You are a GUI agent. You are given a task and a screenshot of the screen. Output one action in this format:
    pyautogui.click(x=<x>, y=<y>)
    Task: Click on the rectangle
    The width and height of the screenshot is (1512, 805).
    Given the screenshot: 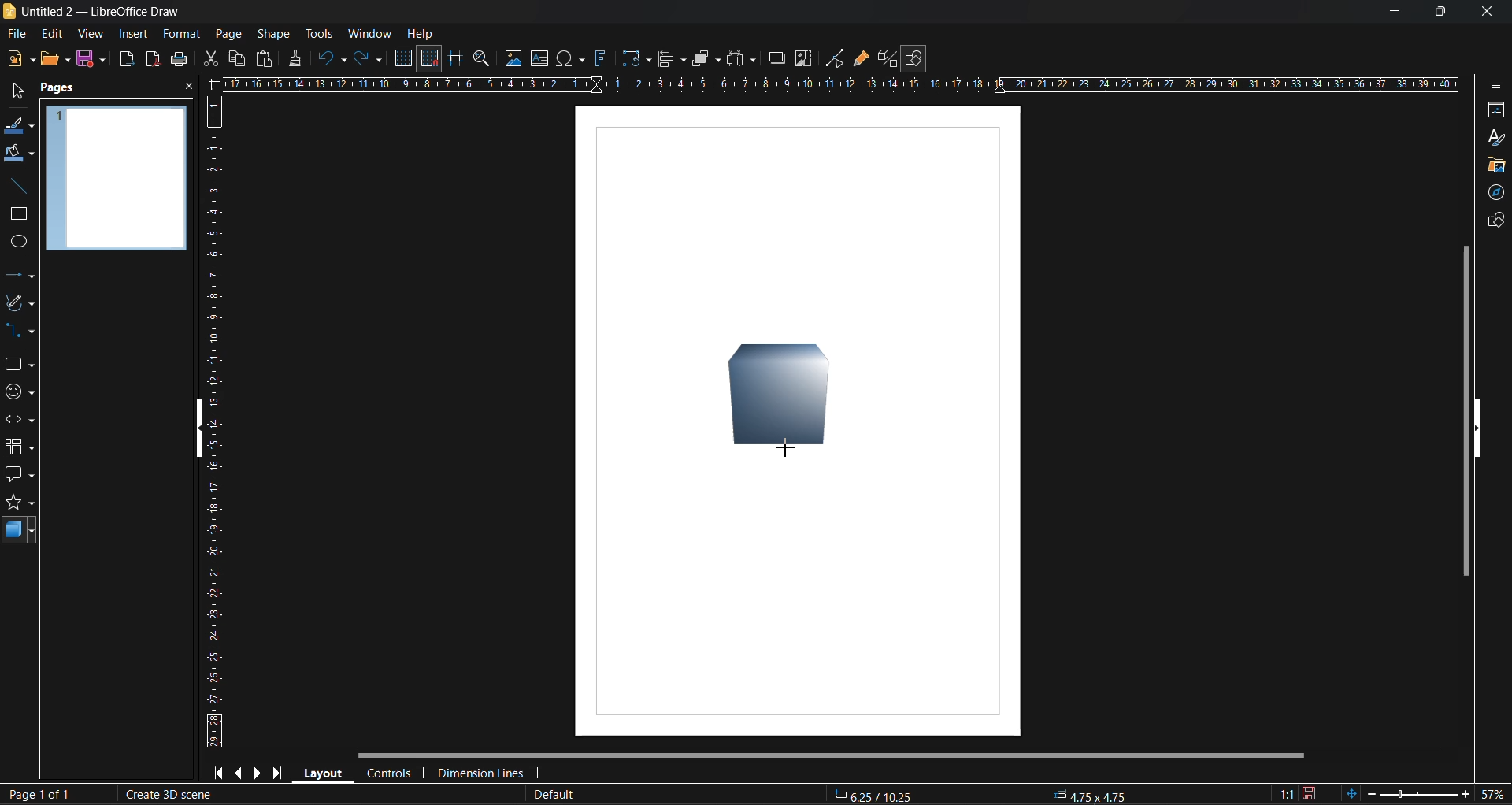 What is the action you would take?
    pyautogui.click(x=19, y=215)
    